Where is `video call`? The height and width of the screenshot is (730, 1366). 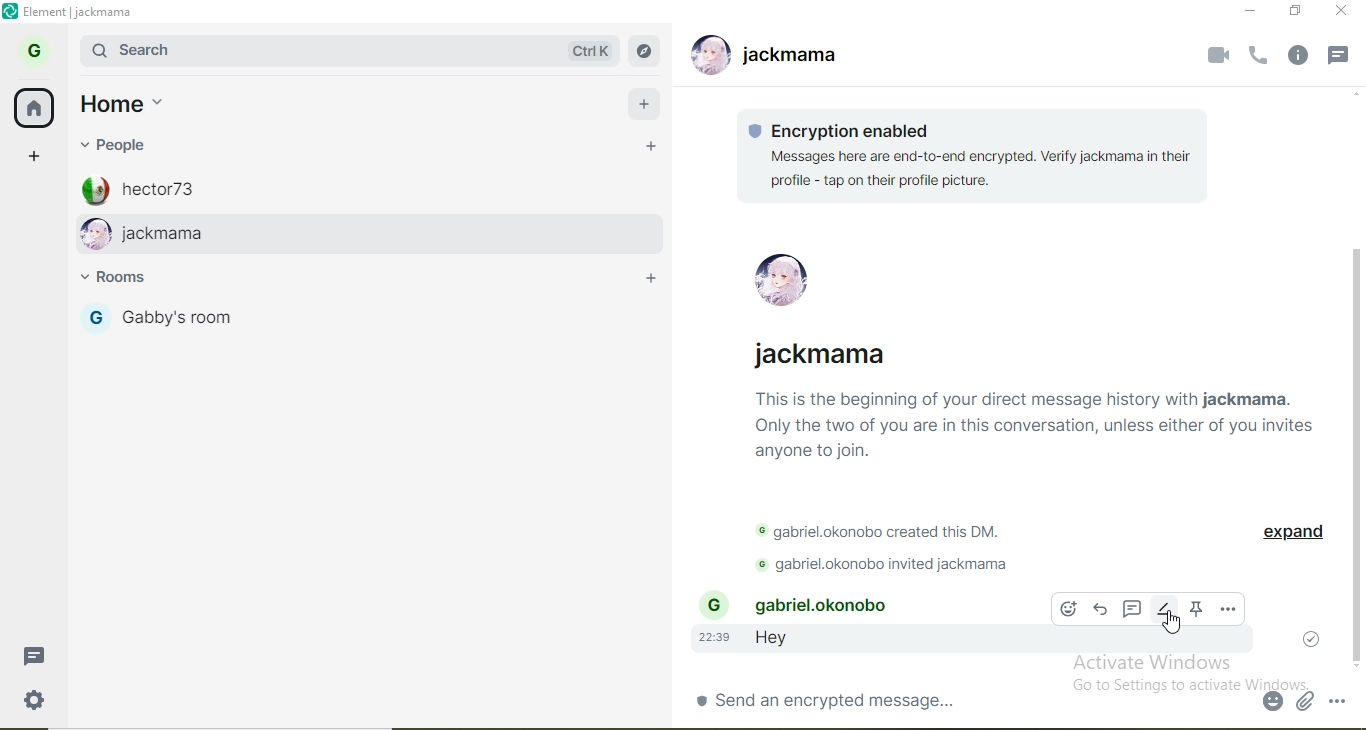 video call is located at coordinates (1216, 56).